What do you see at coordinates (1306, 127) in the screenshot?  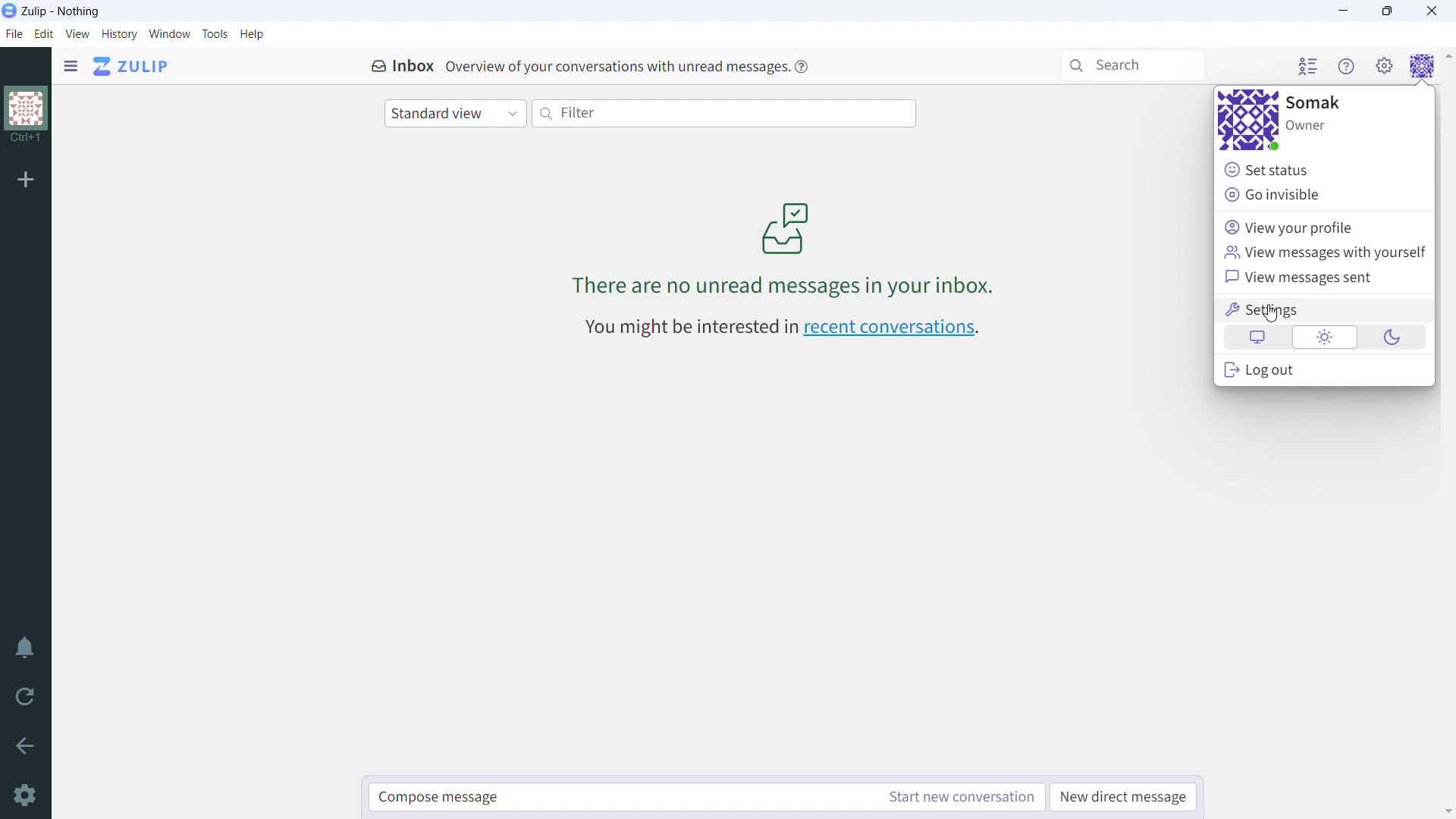 I see `designation` at bounding box center [1306, 127].